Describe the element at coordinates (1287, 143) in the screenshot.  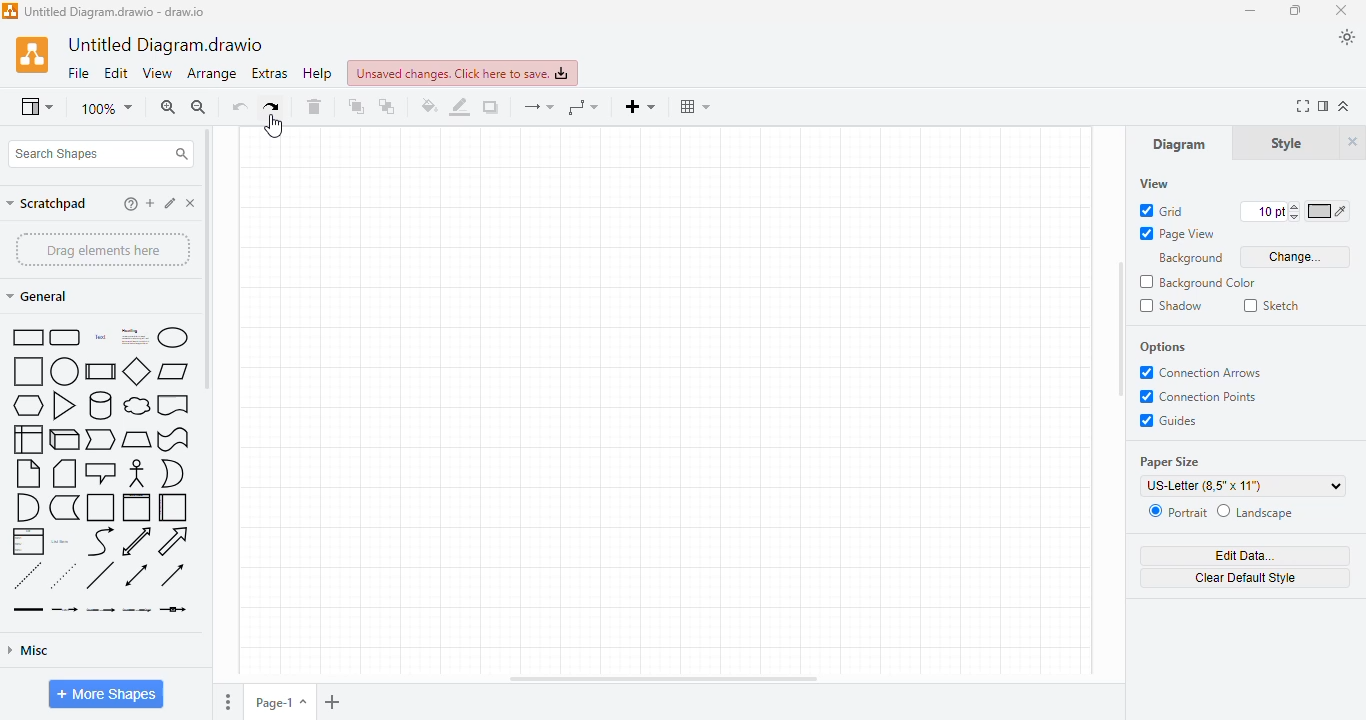
I see `style` at that location.